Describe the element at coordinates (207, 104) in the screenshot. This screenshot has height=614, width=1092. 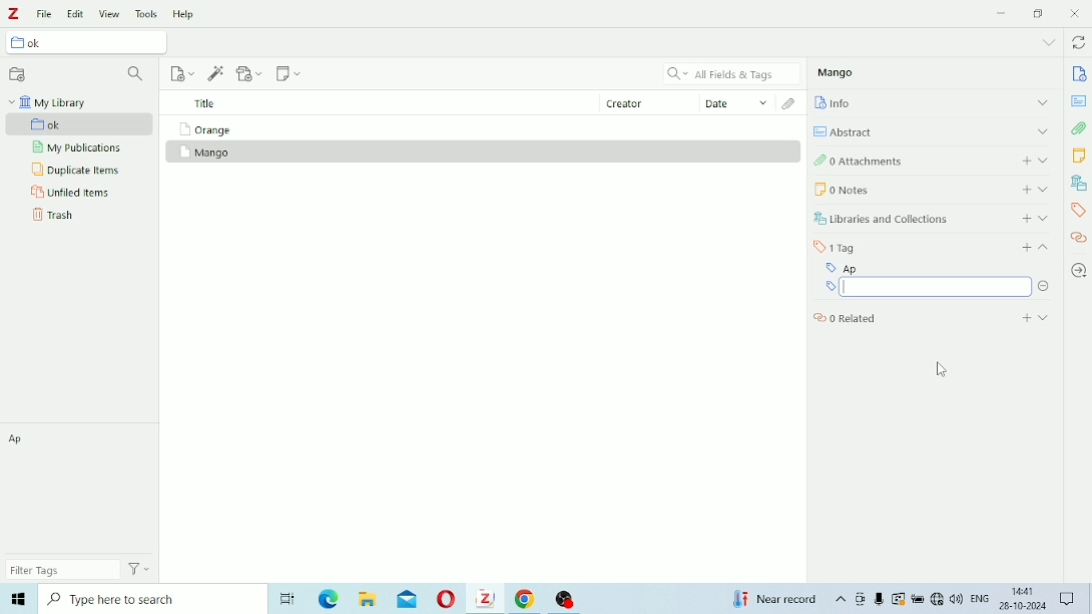
I see `Title` at that location.